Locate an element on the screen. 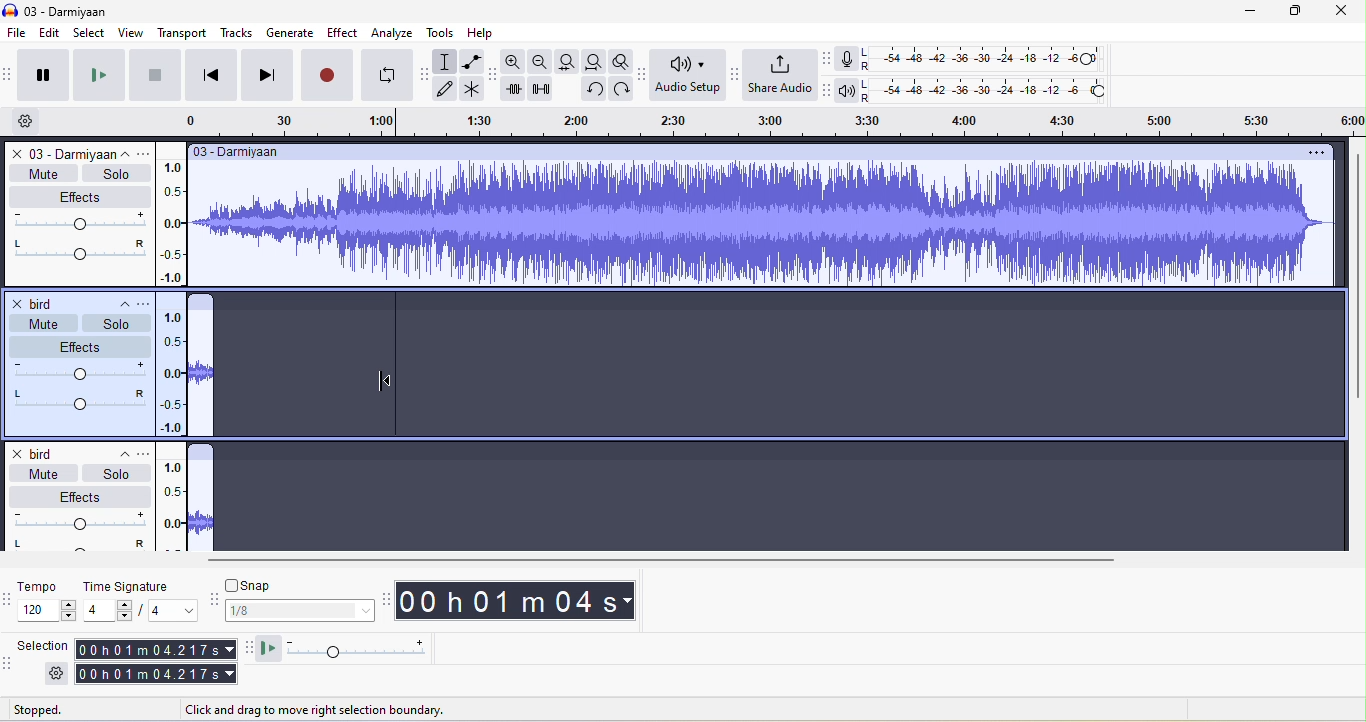 Image resolution: width=1366 pixels, height=722 pixels. share audio is located at coordinates (783, 75).